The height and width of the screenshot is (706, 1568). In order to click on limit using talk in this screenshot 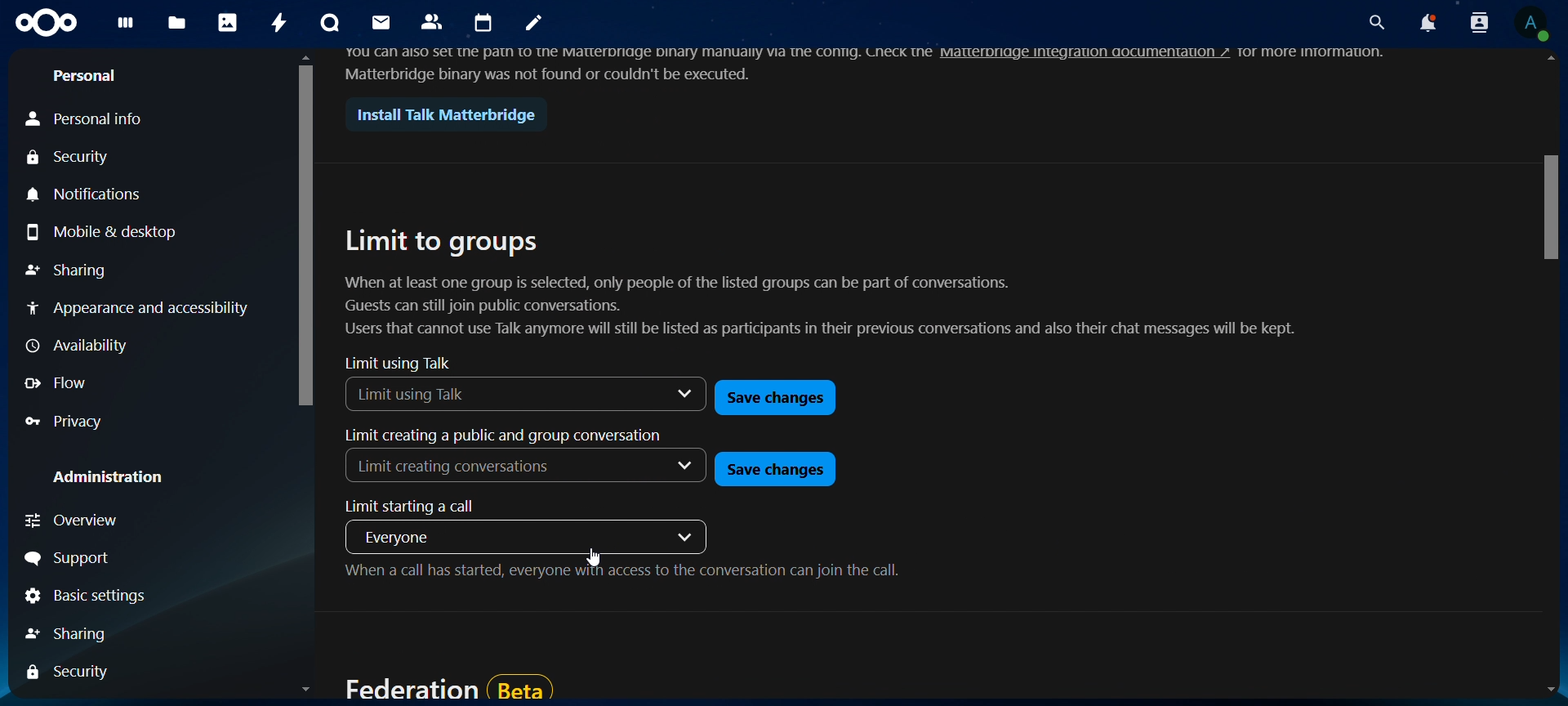, I will do `click(402, 364)`.